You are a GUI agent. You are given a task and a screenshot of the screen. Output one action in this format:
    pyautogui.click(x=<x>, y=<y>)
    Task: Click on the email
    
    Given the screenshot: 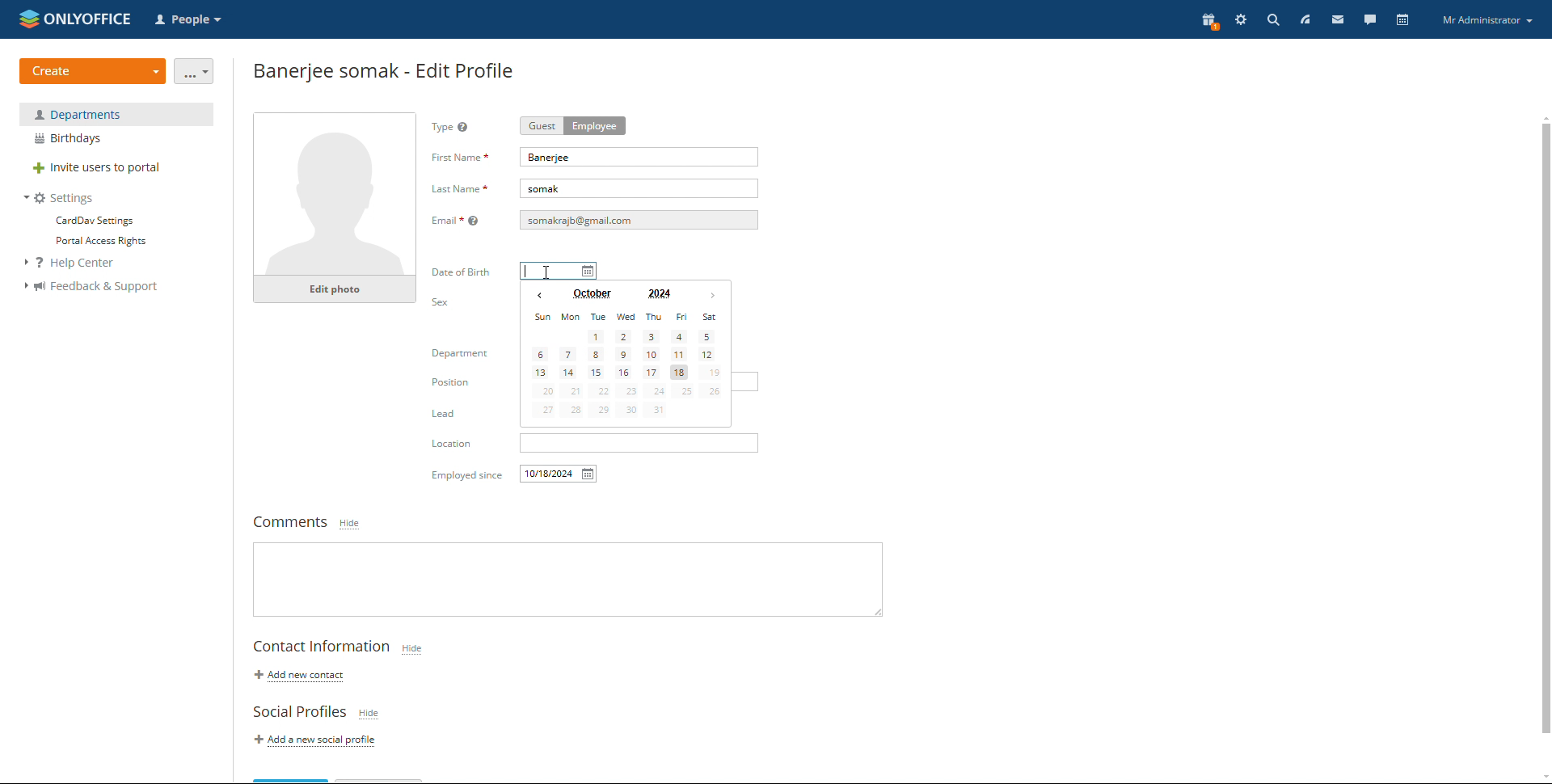 What is the action you would take?
    pyautogui.click(x=639, y=220)
    